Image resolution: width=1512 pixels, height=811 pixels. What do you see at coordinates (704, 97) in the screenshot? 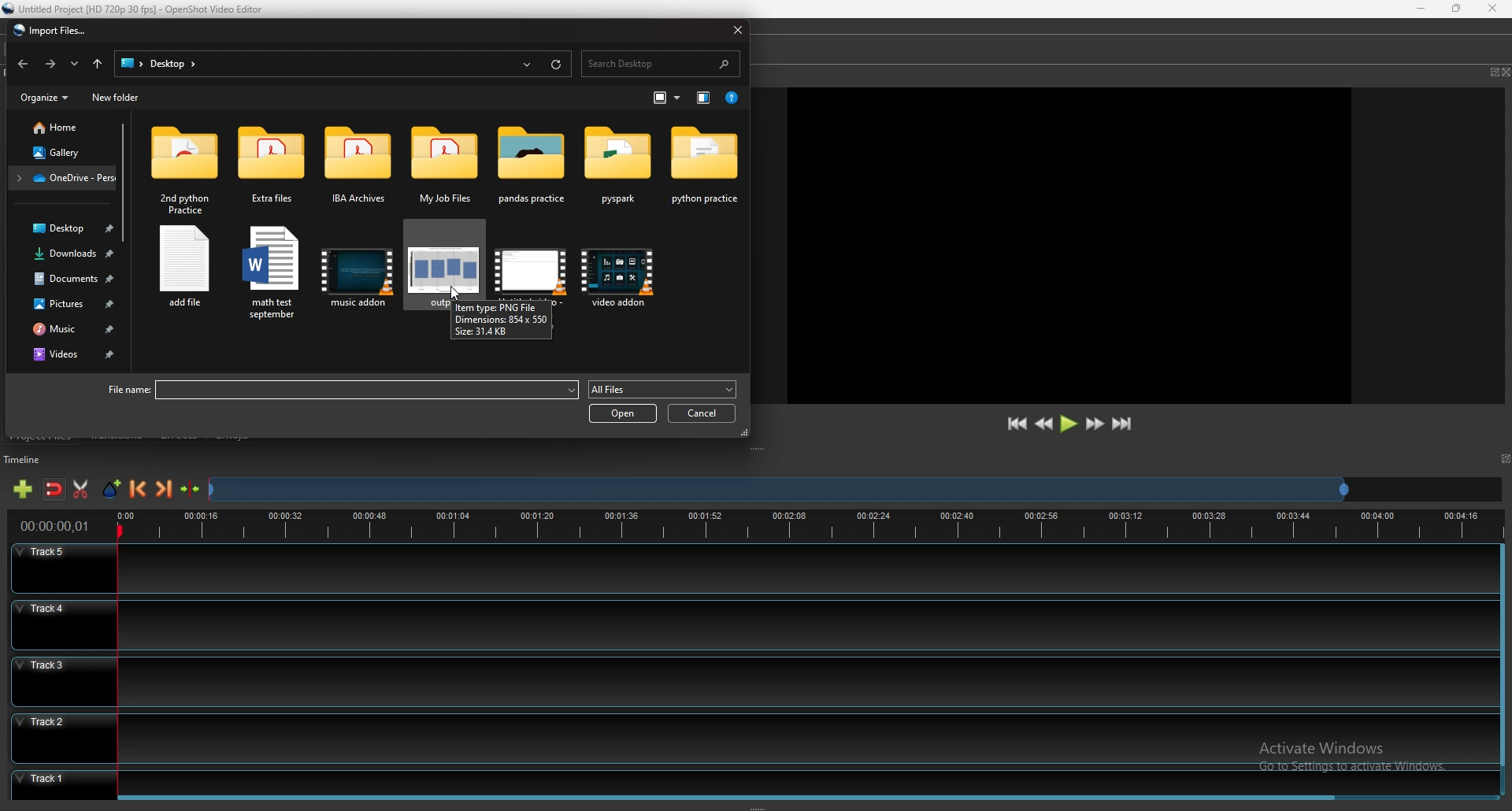
I see `show preview pane` at bounding box center [704, 97].